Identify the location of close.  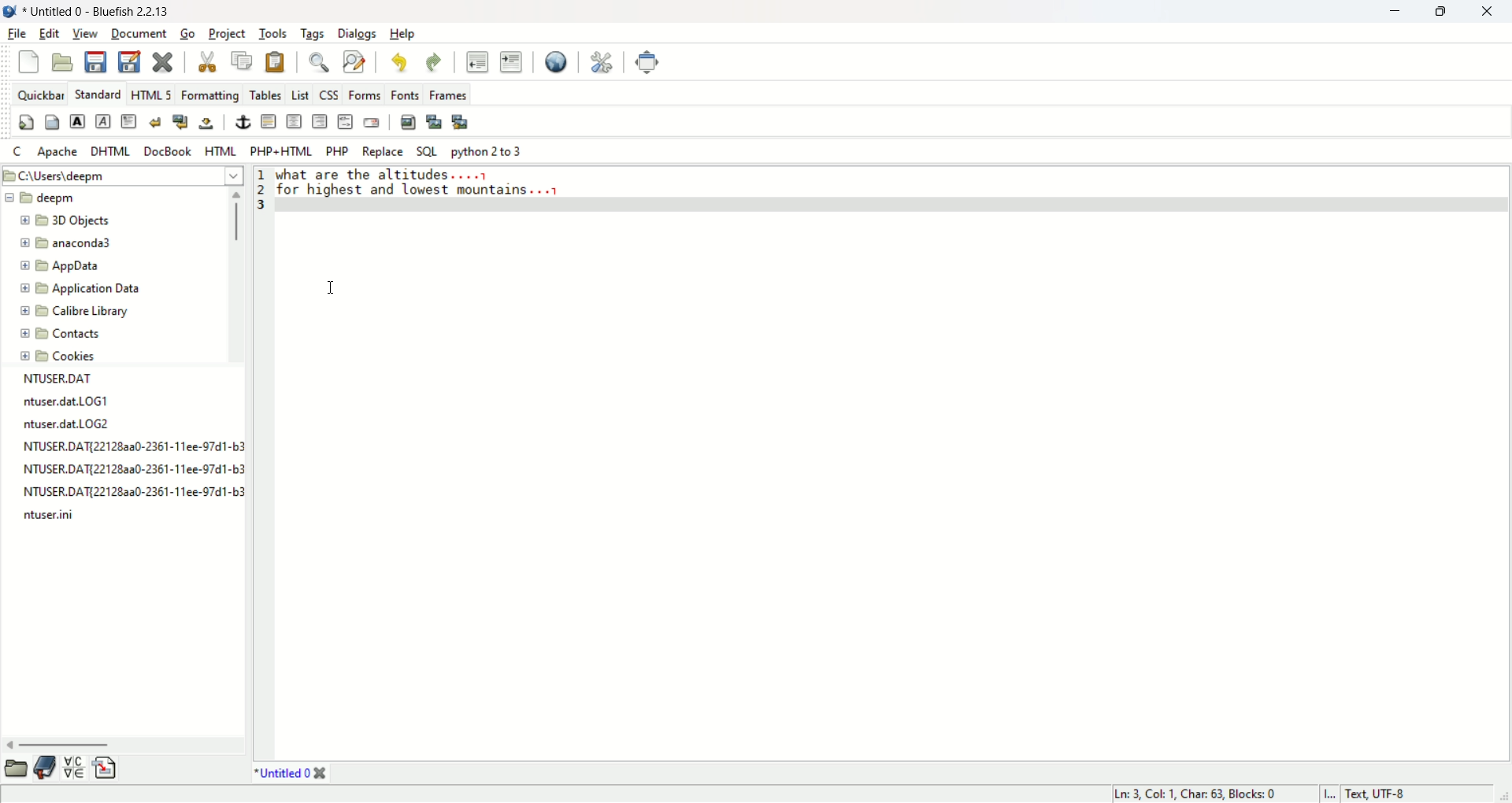
(165, 60).